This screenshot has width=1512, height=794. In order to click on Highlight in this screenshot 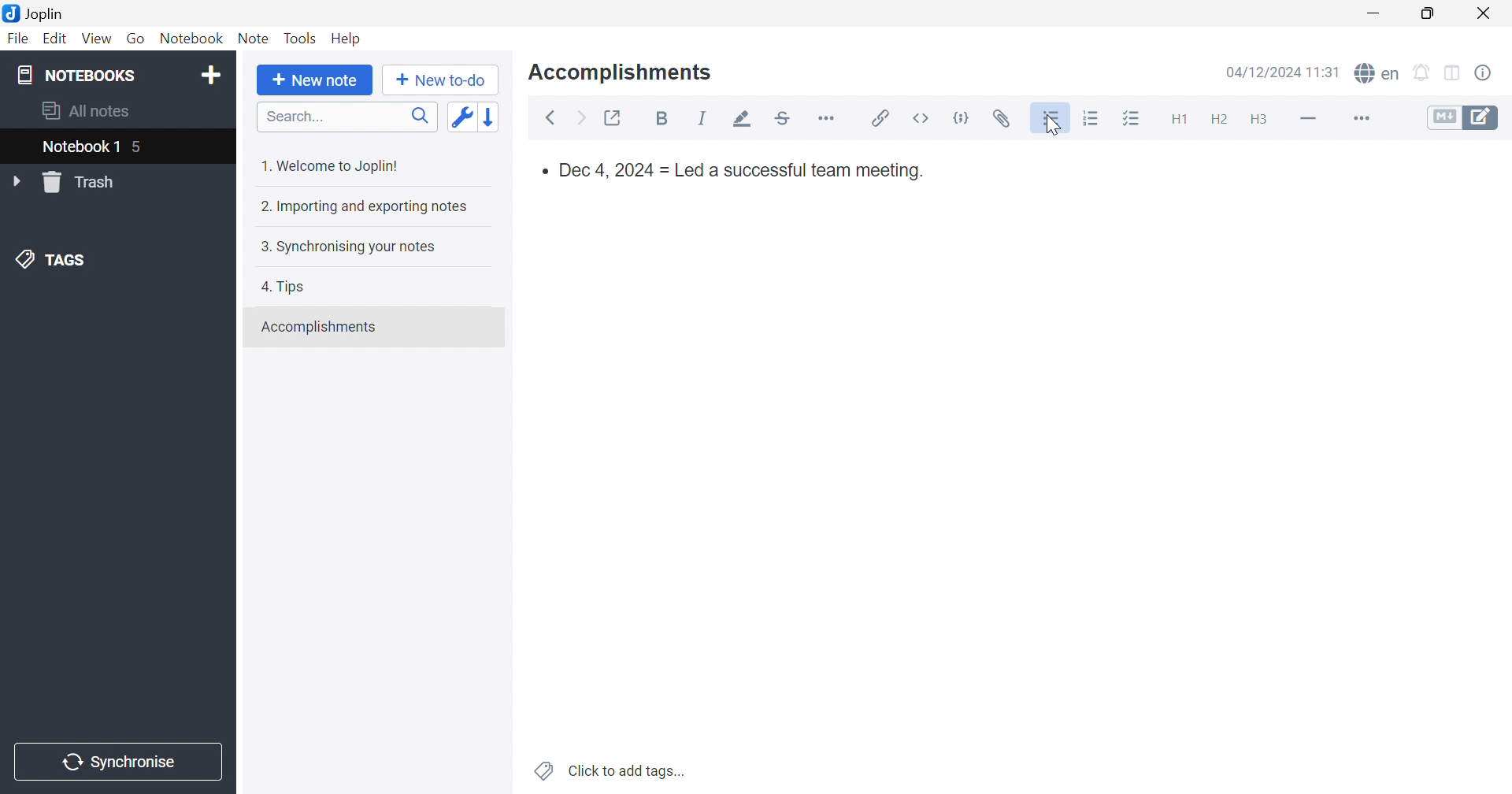, I will do `click(746, 119)`.